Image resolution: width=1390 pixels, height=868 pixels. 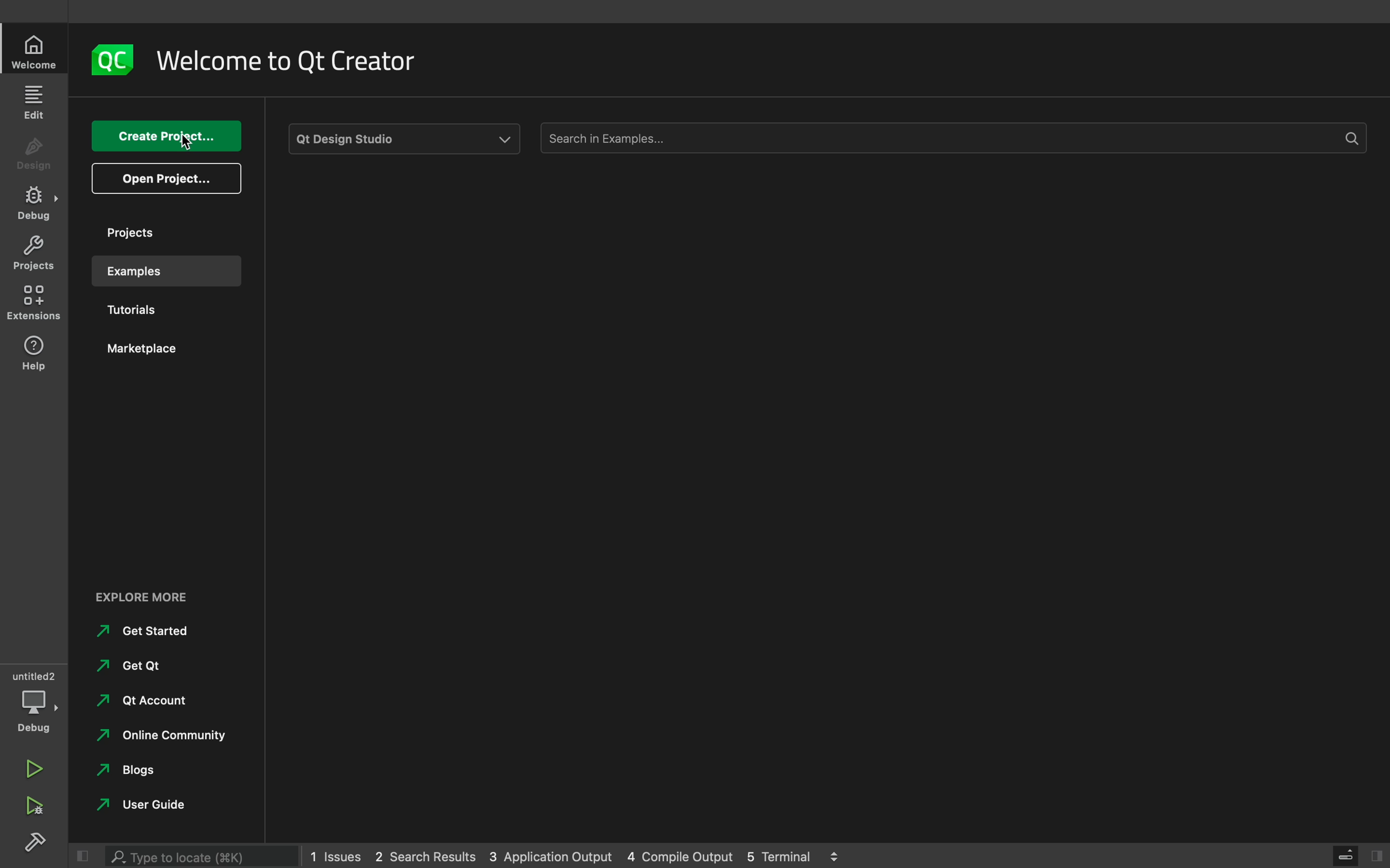 What do you see at coordinates (167, 271) in the screenshot?
I see `examples` at bounding box center [167, 271].